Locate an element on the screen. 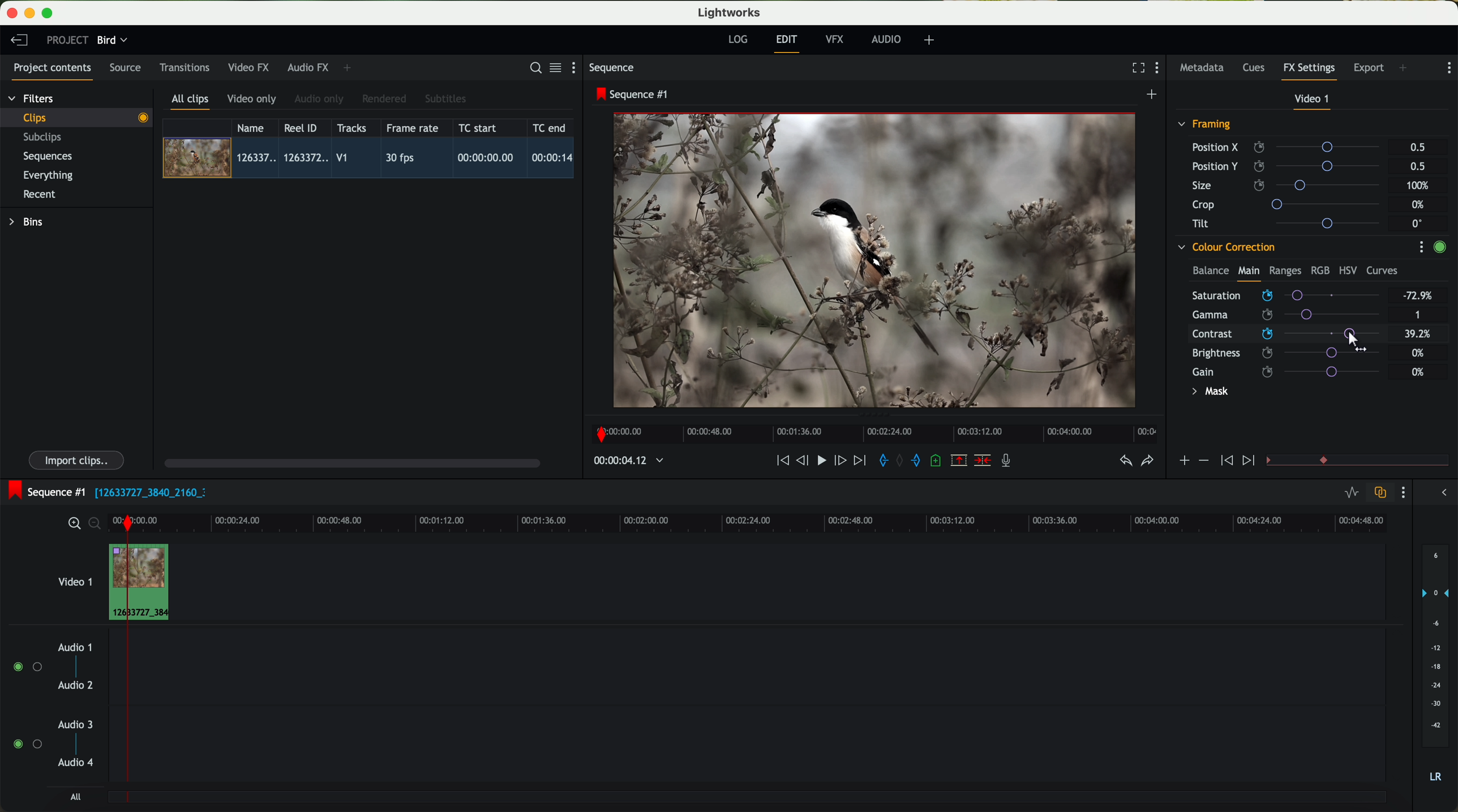  project is located at coordinates (67, 40).